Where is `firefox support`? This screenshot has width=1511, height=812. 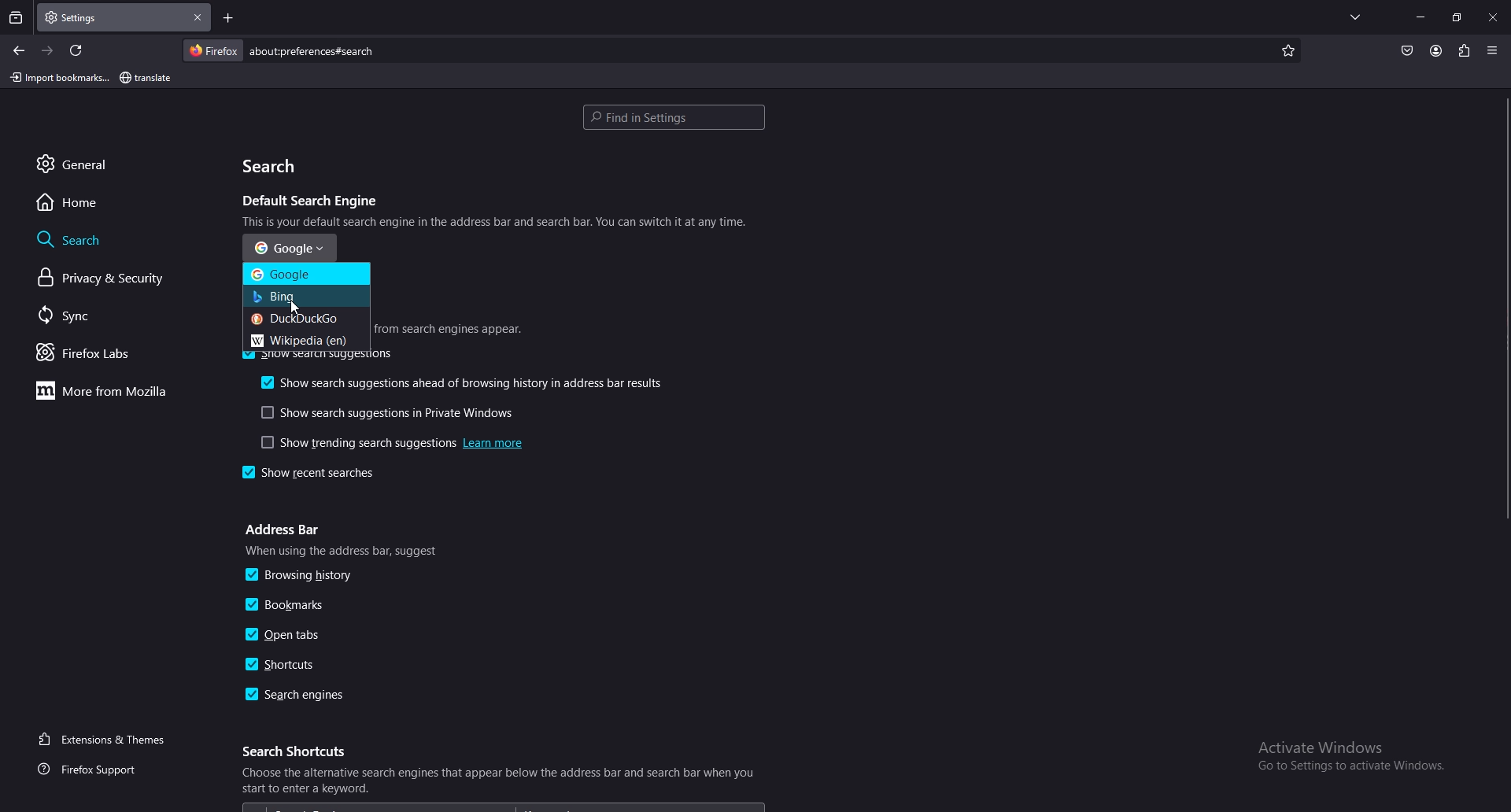
firefox support is located at coordinates (103, 769).